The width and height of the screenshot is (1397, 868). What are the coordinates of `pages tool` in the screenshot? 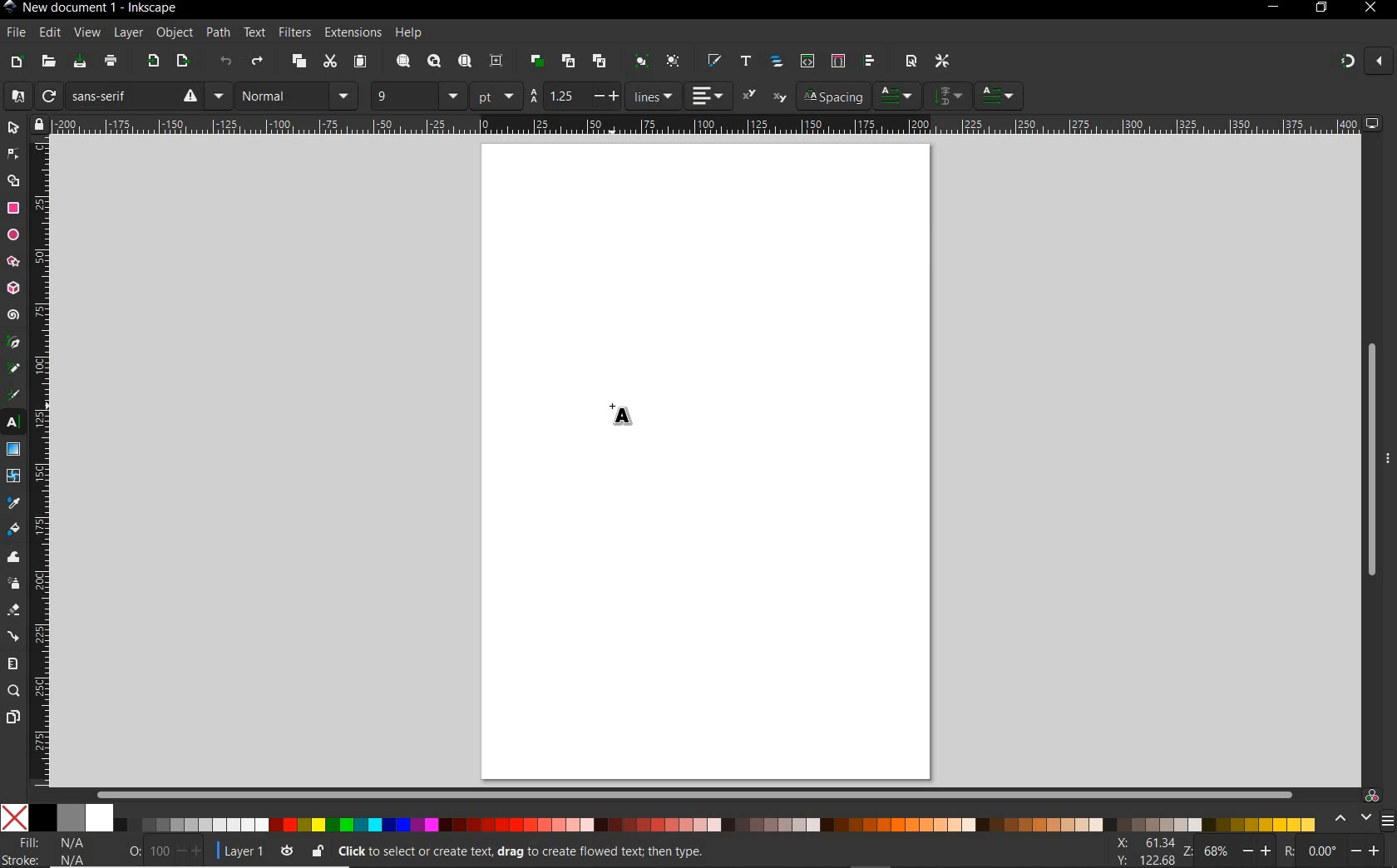 It's located at (13, 718).